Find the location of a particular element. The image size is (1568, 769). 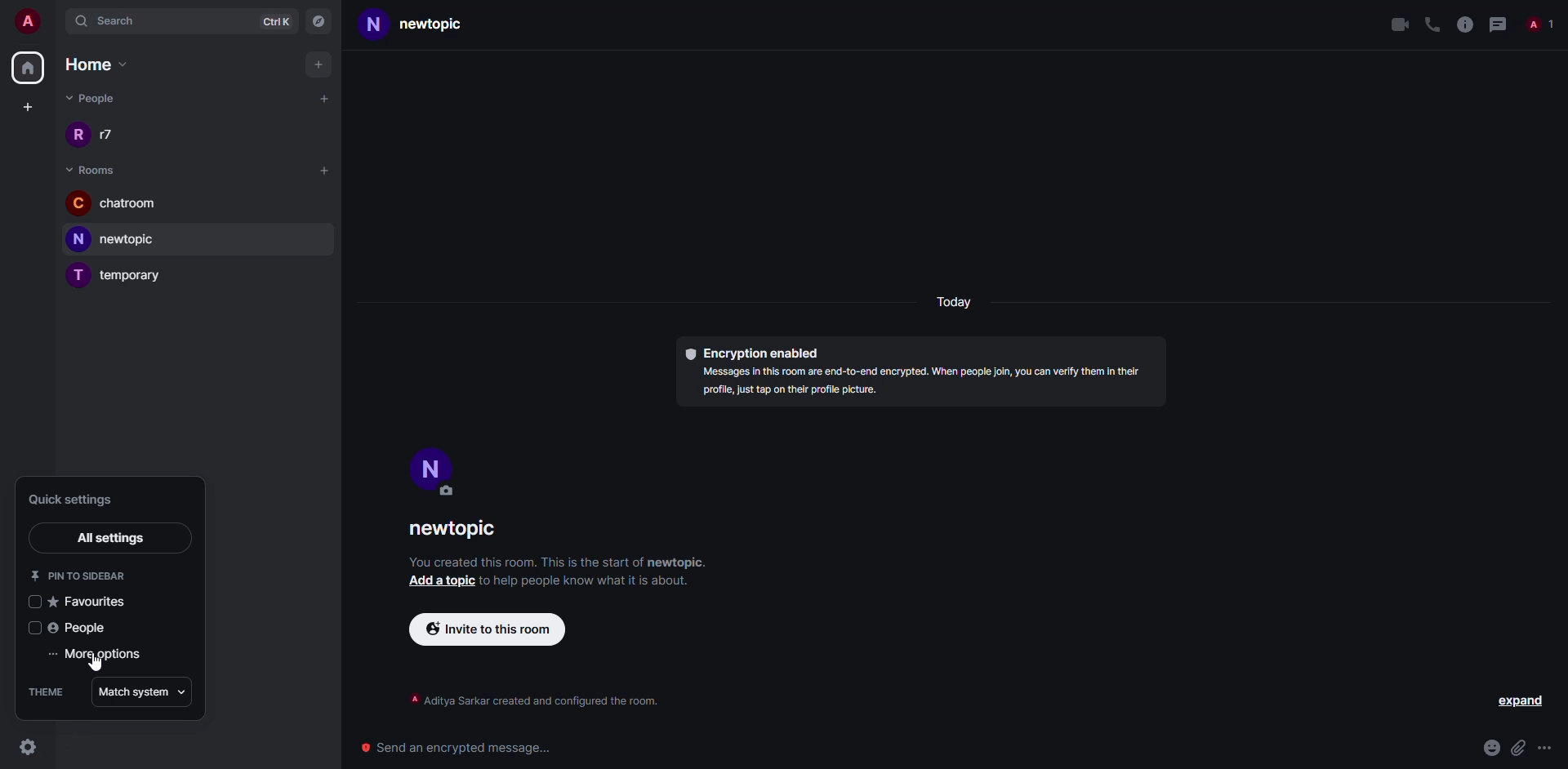

add a topic is located at coordinates (439, 581).